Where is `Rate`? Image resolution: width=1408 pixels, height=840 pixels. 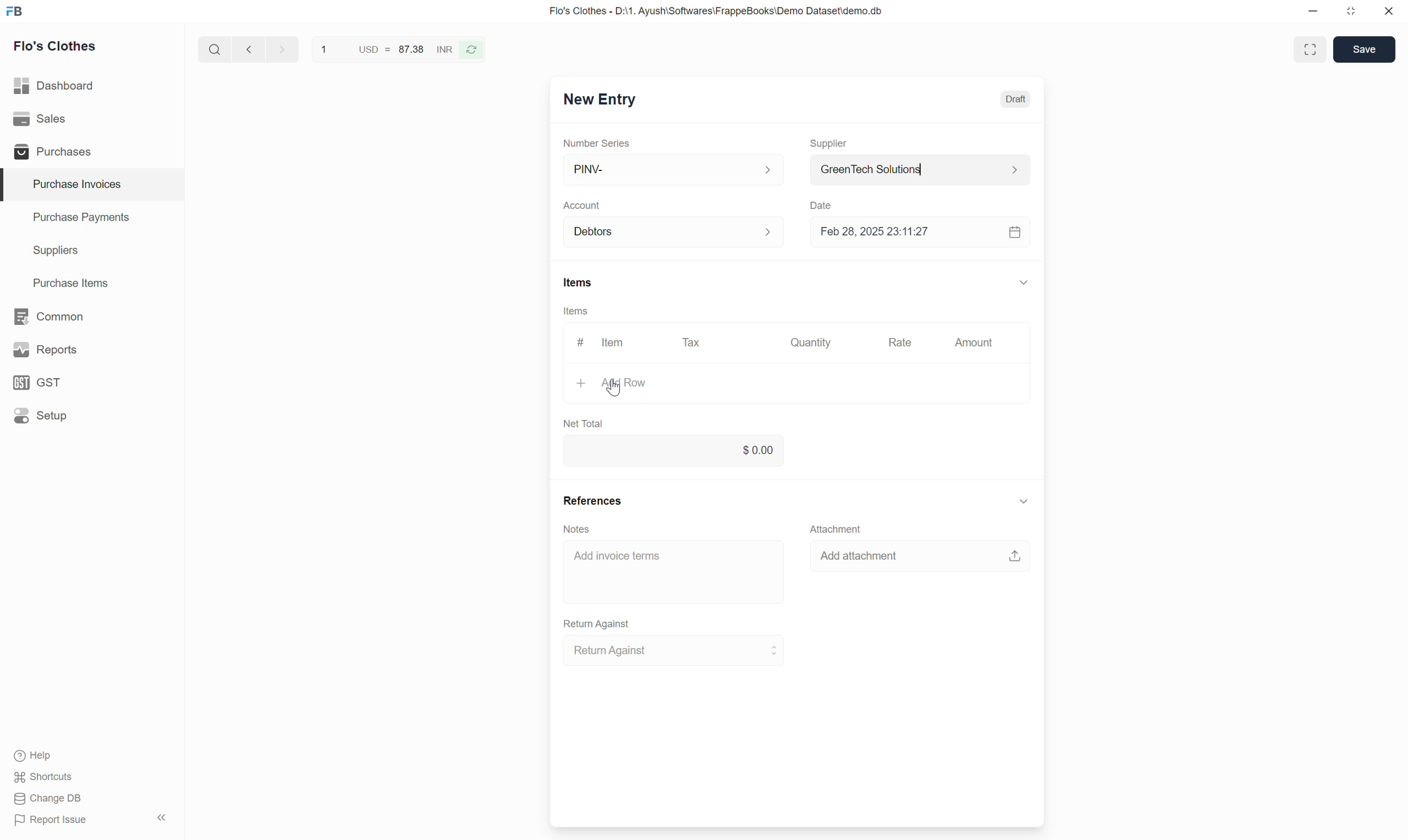 Rate is located at coordinates (900, 343).